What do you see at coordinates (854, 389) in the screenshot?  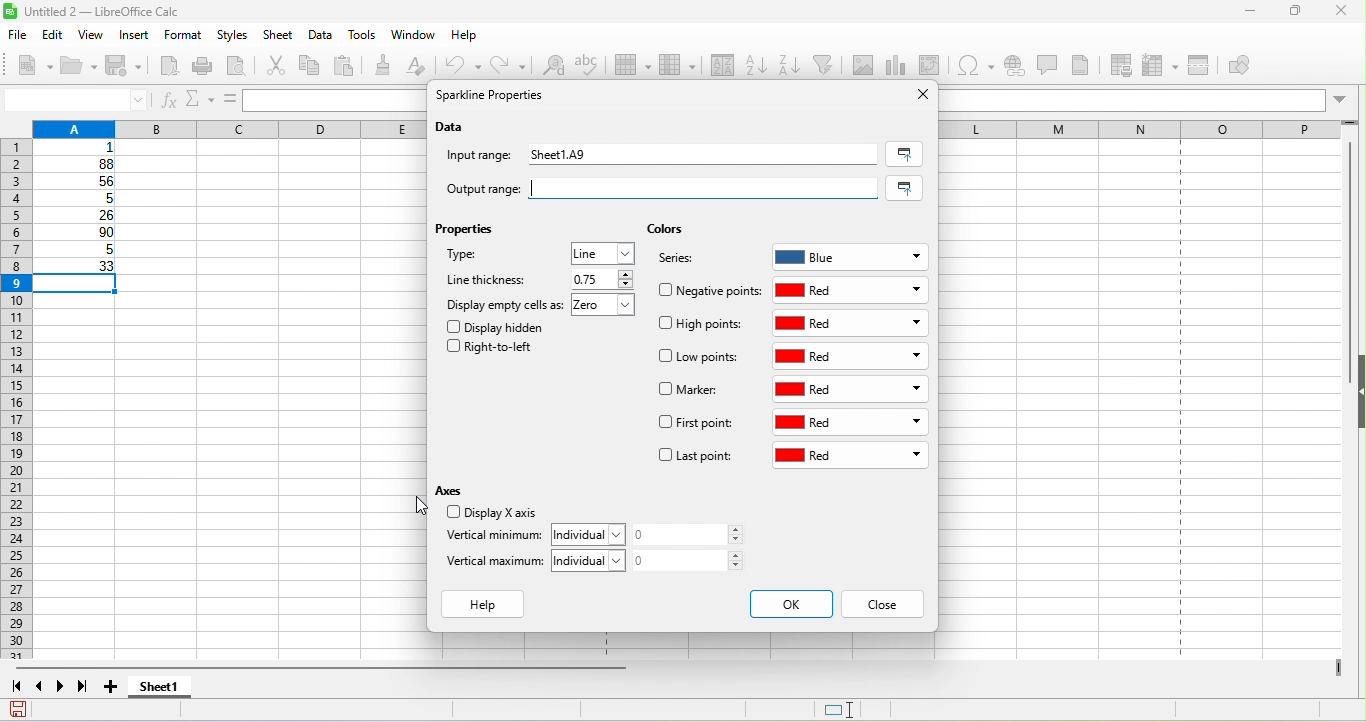 I see `red` at bounding box center [854, 389].